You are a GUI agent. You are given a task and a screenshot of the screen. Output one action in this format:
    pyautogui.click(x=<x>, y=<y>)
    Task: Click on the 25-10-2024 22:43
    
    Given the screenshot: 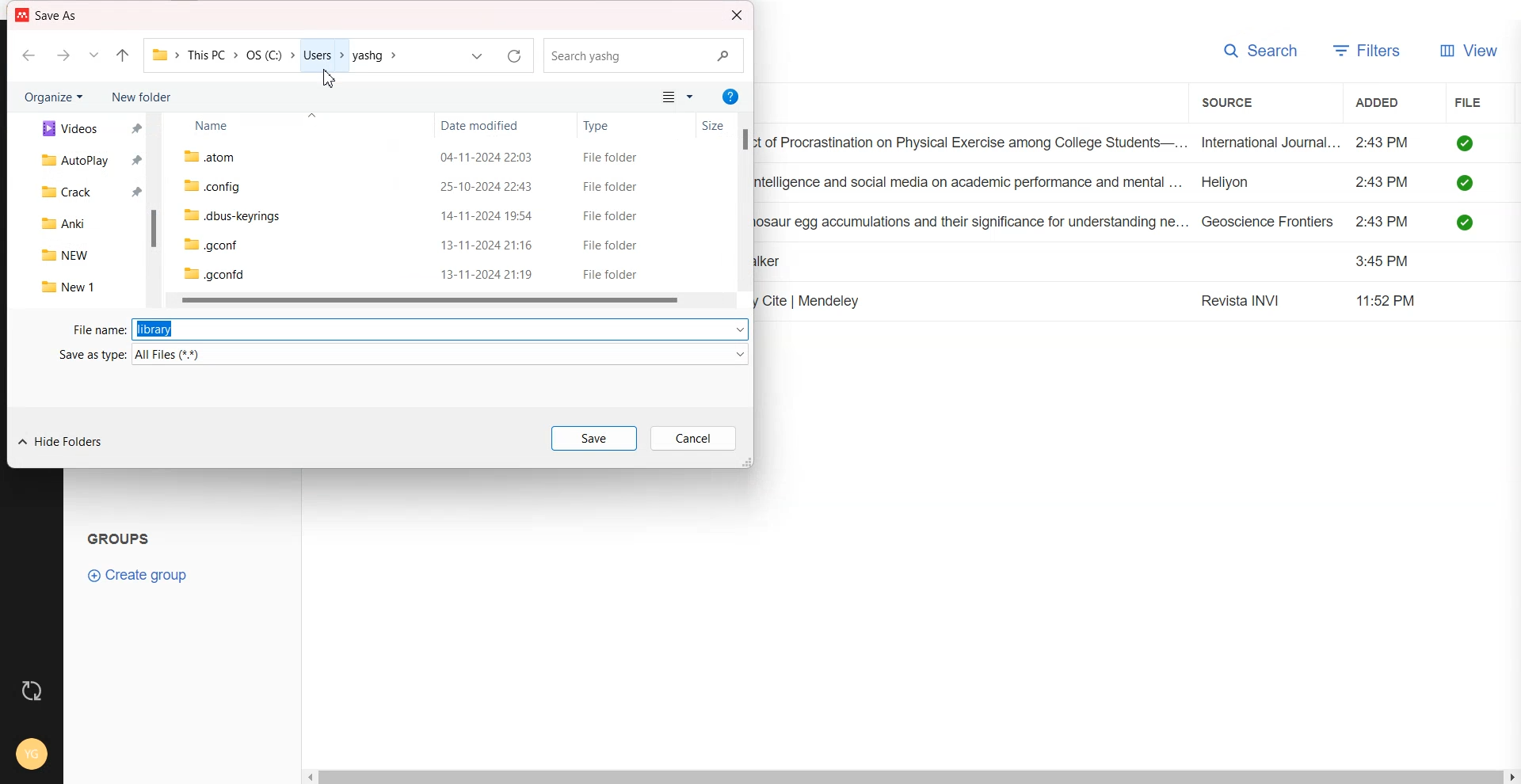 What is the action you would take?
    pyautogui.click(x=491, y=187)
    